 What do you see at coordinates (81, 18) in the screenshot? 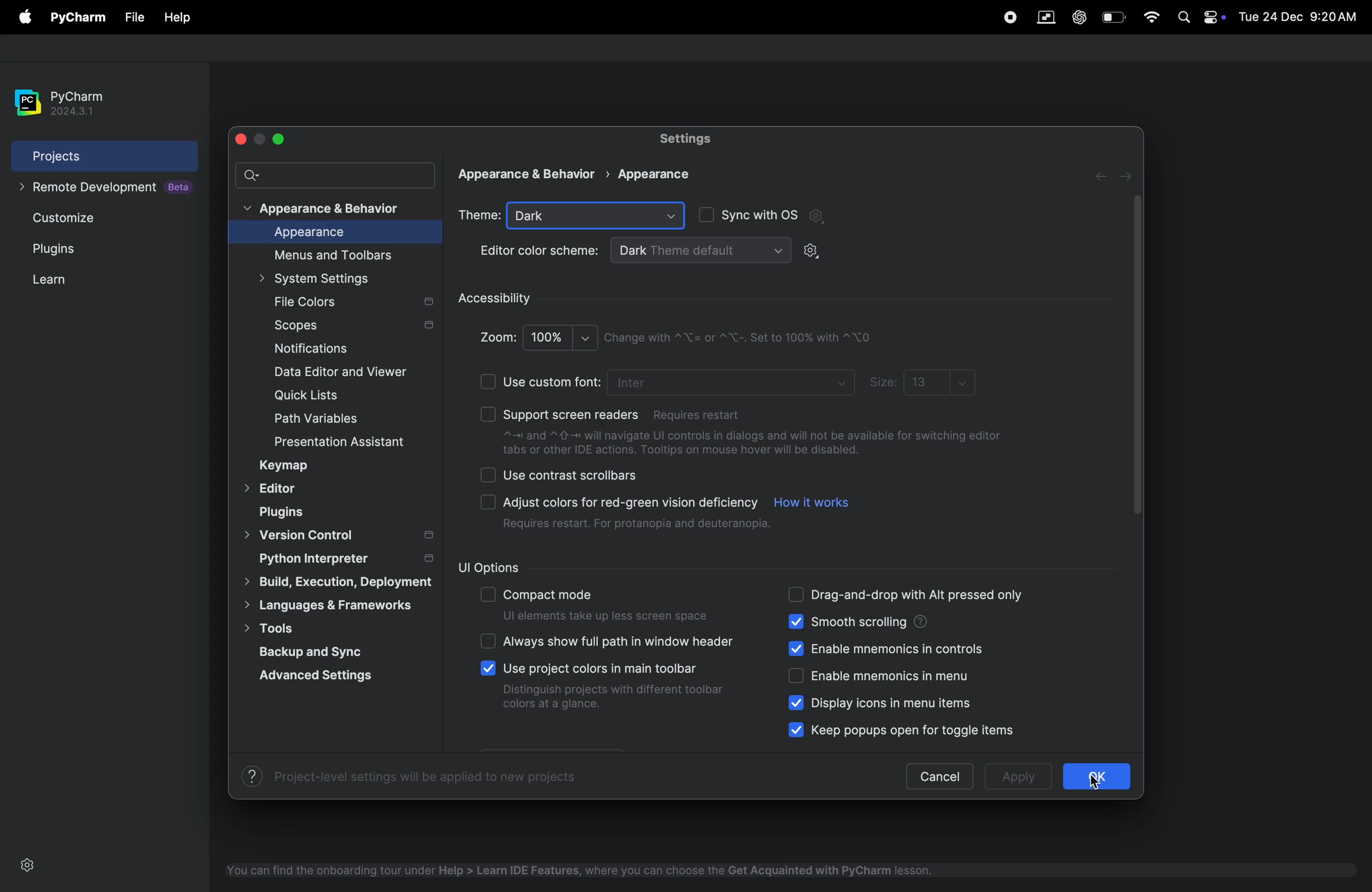
I see `pycharm` at bounding box center [81, 18].